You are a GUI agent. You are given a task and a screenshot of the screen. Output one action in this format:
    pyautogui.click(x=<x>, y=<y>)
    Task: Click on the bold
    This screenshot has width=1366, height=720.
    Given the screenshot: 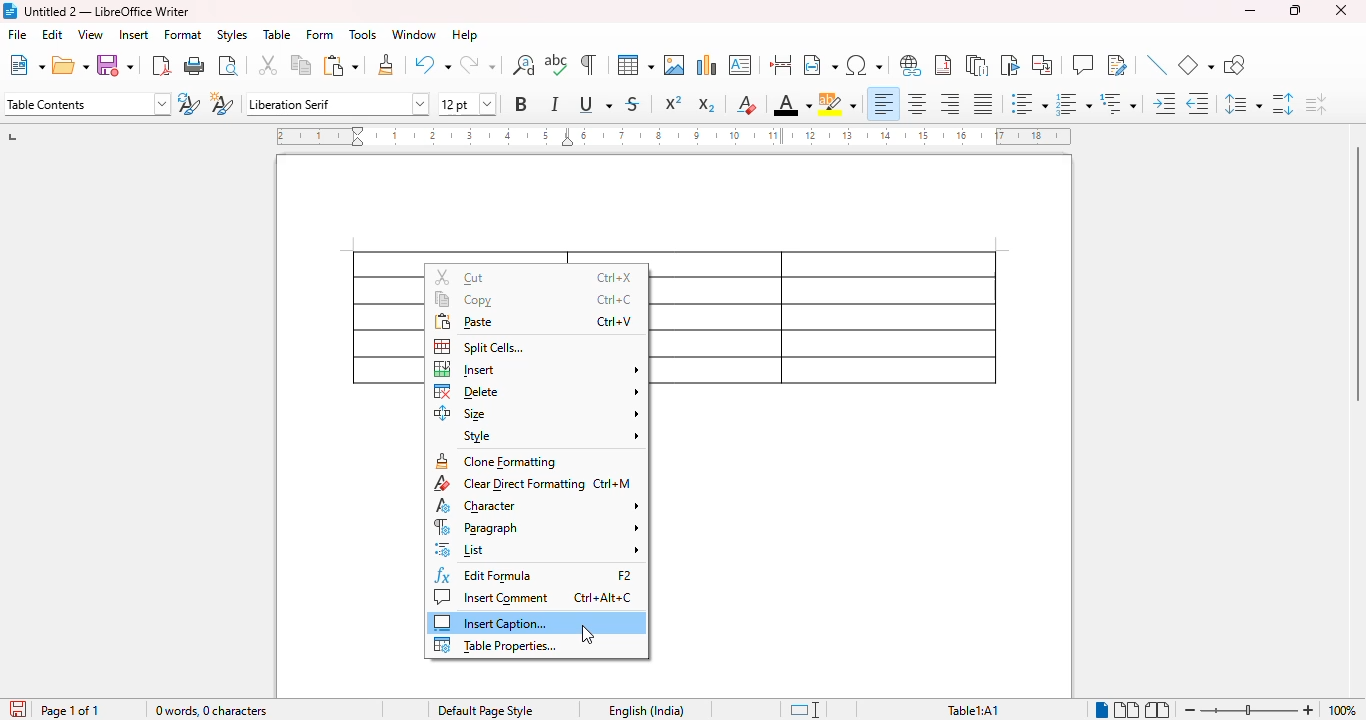 What is the action you would take?
    pyautogui.click(x=522, y=104)
    